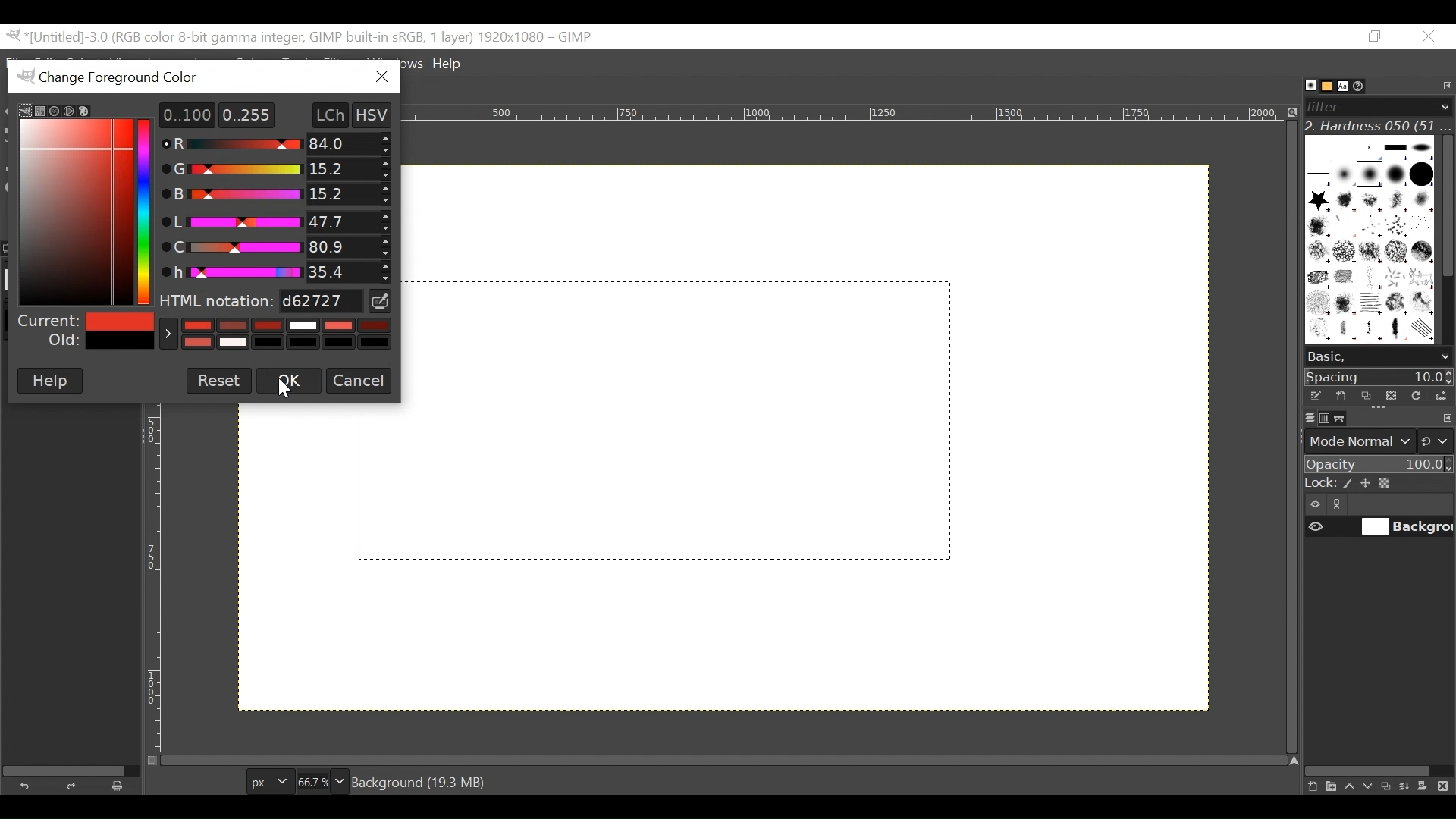 The height and width of the screenshot is (819, 1456). What do you see at coordinates (272, 270) in the screenshot?
I see `Hue` at bounding box center [272, 270].